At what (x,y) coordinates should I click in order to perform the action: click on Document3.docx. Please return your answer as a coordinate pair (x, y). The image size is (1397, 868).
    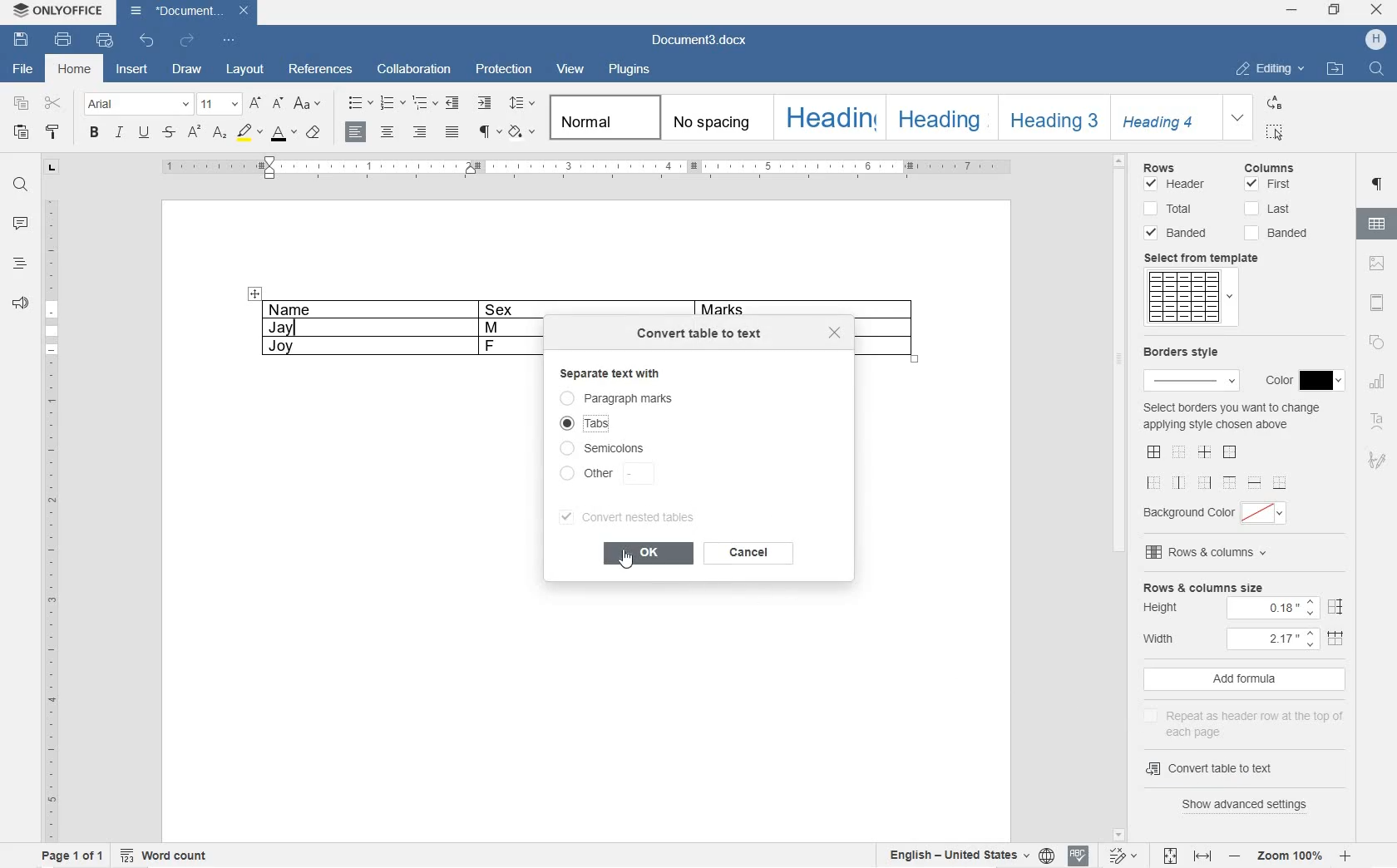
    Looking at the image, I should click on (705, 39).